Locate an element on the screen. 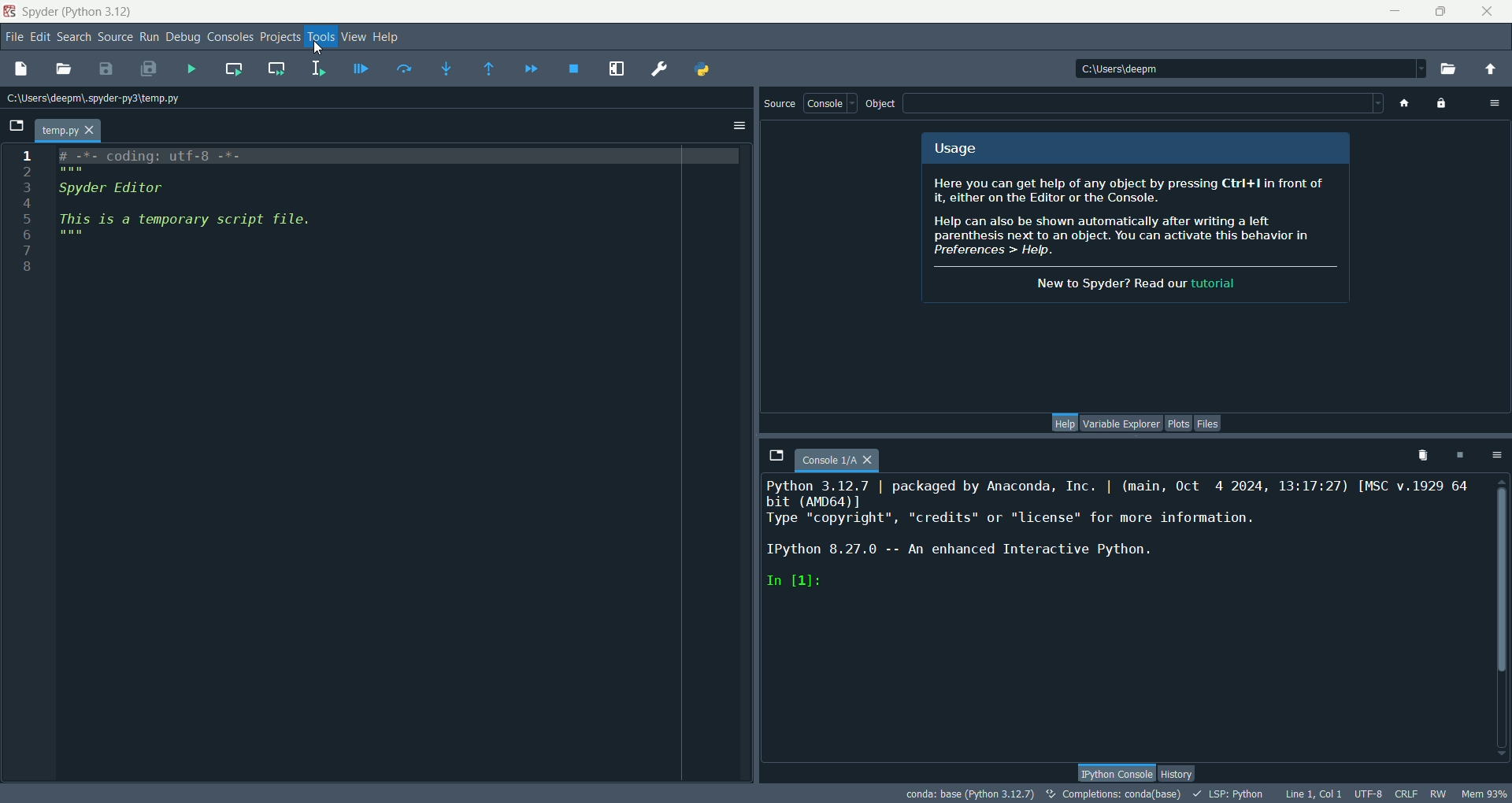 Image resolution: width=1512 pixels, height=803 pixels. run current line is located at coordinates (402, 71).